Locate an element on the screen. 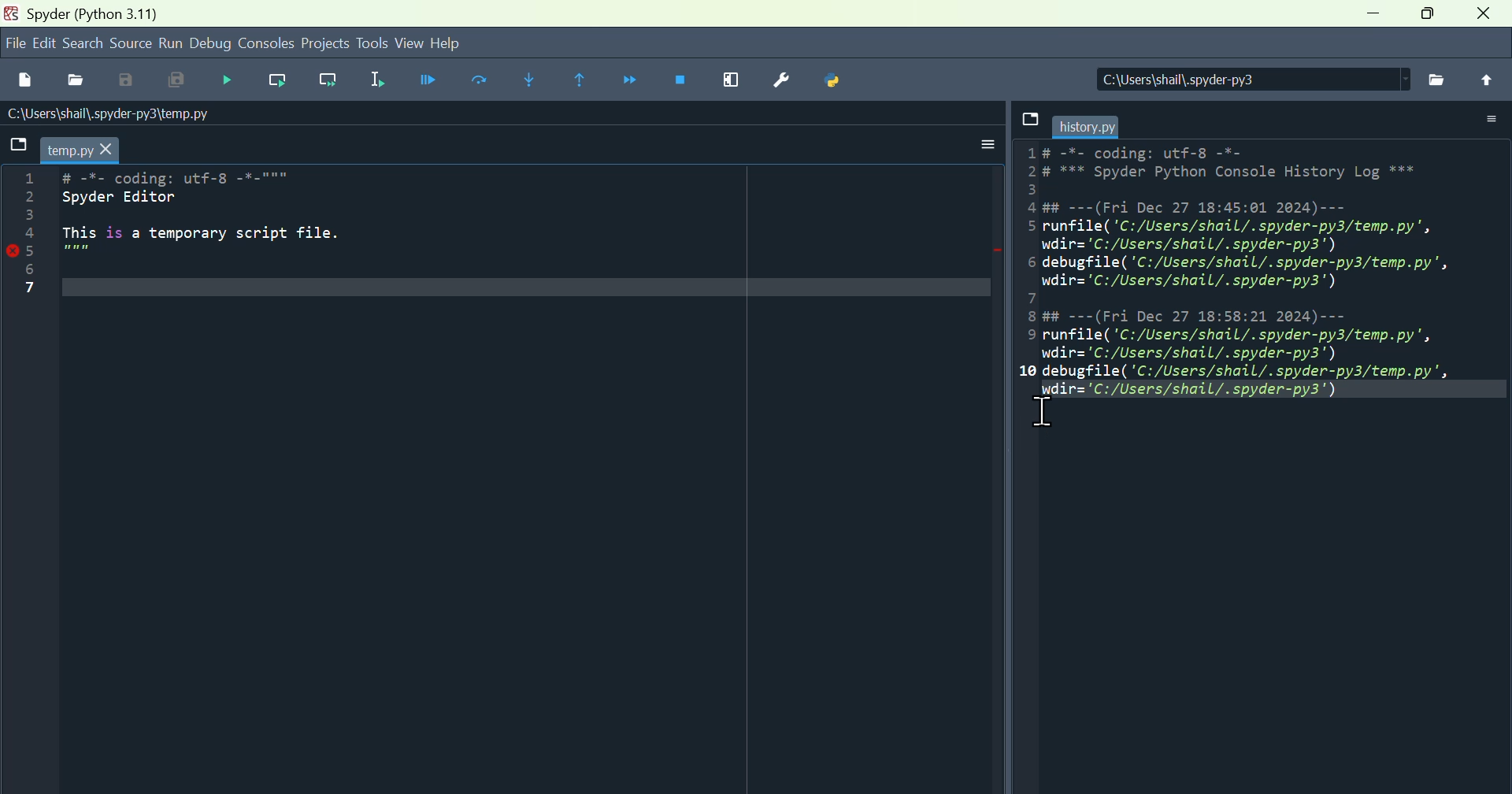  file is located at coordinates (1030, 125).